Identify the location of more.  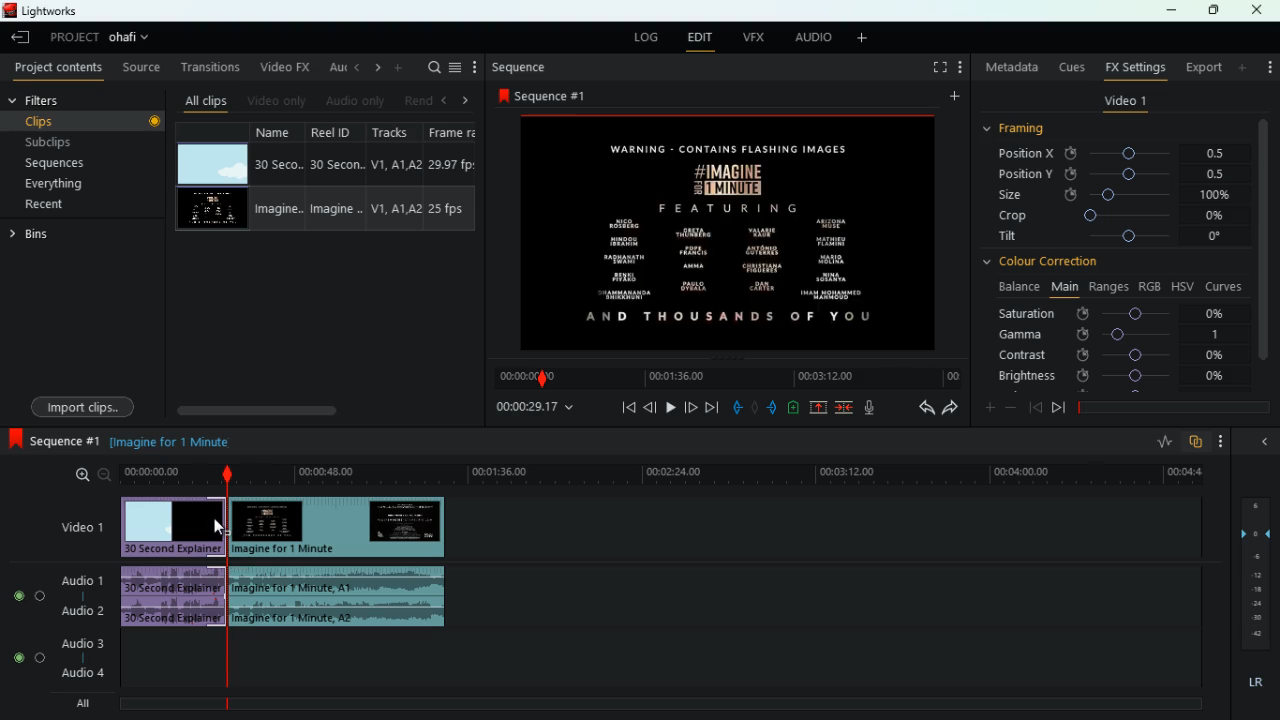
(952, 99).